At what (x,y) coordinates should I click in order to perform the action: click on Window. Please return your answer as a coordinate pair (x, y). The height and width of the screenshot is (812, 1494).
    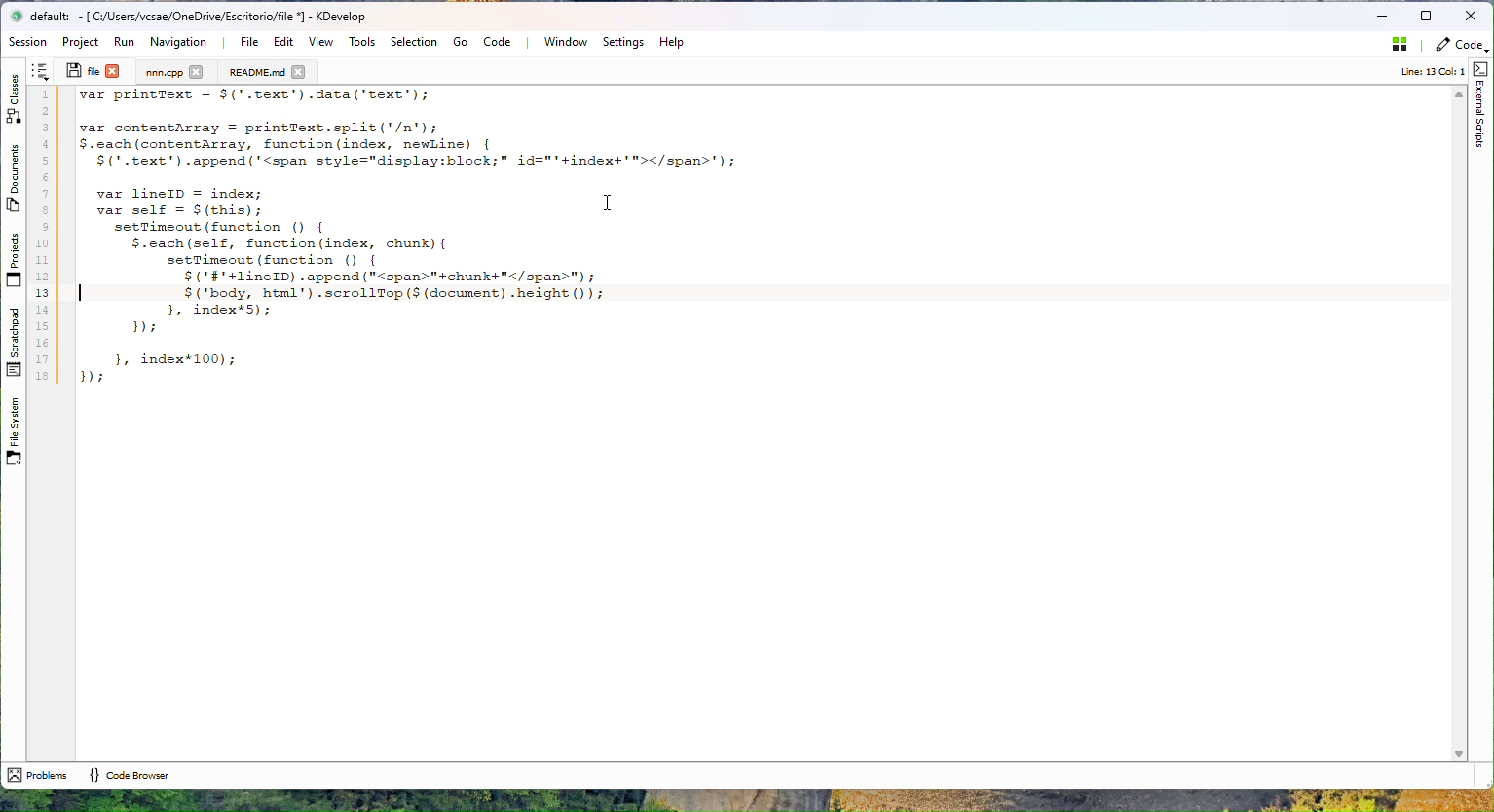
    Looking at the image, I should click on (564, 42).